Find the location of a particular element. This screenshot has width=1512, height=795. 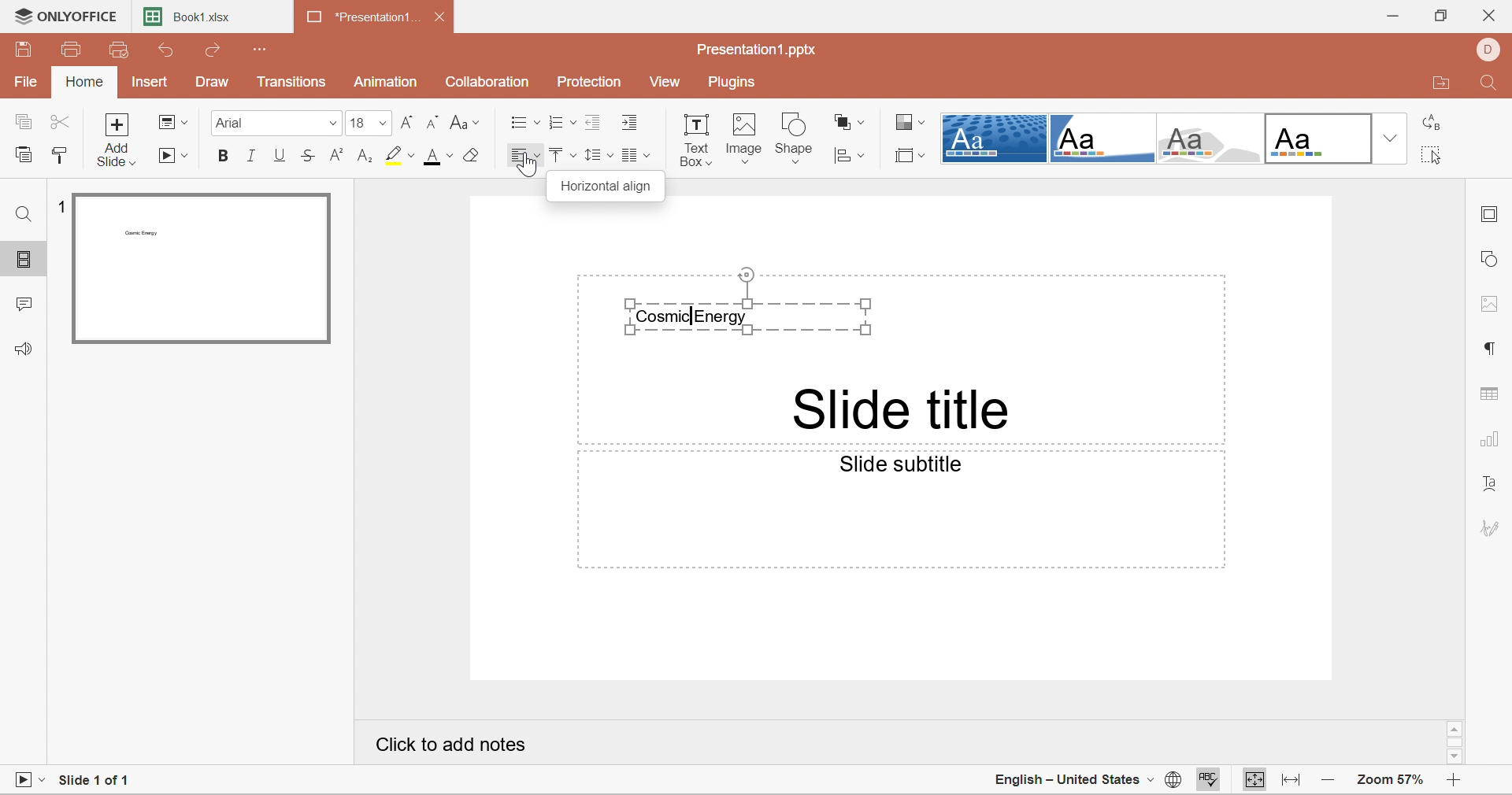

Save is located at coordinates (24, 49).